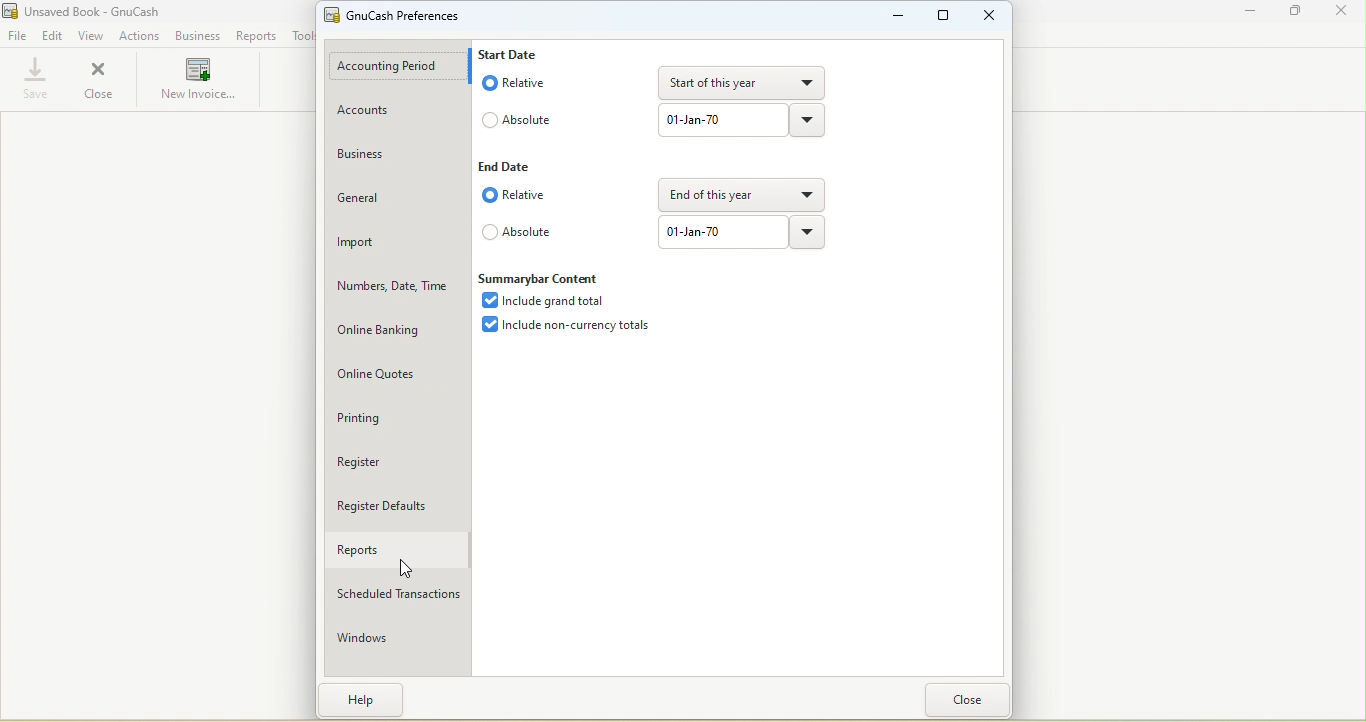 Image resolution: width=1366 pixels, height=722 pixels. I want to click on Close, so click(98, 80).